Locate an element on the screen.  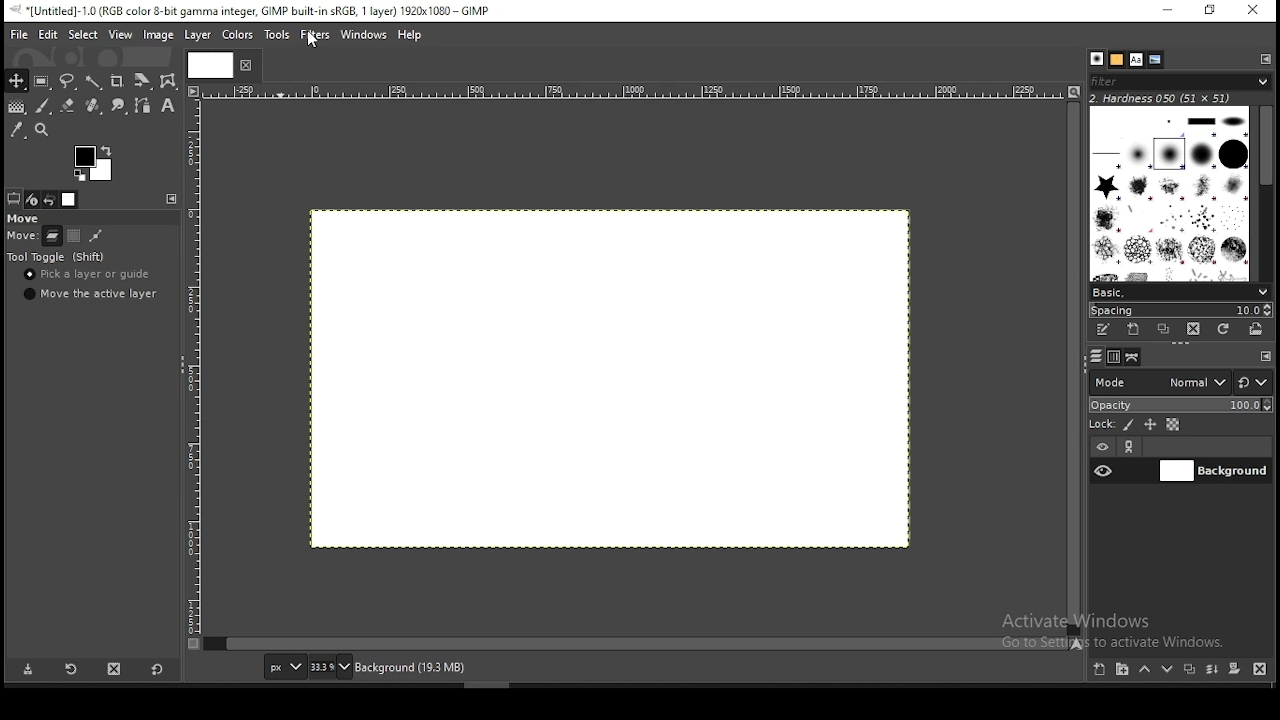
scroll bar is located at coordinates (1266, 193).